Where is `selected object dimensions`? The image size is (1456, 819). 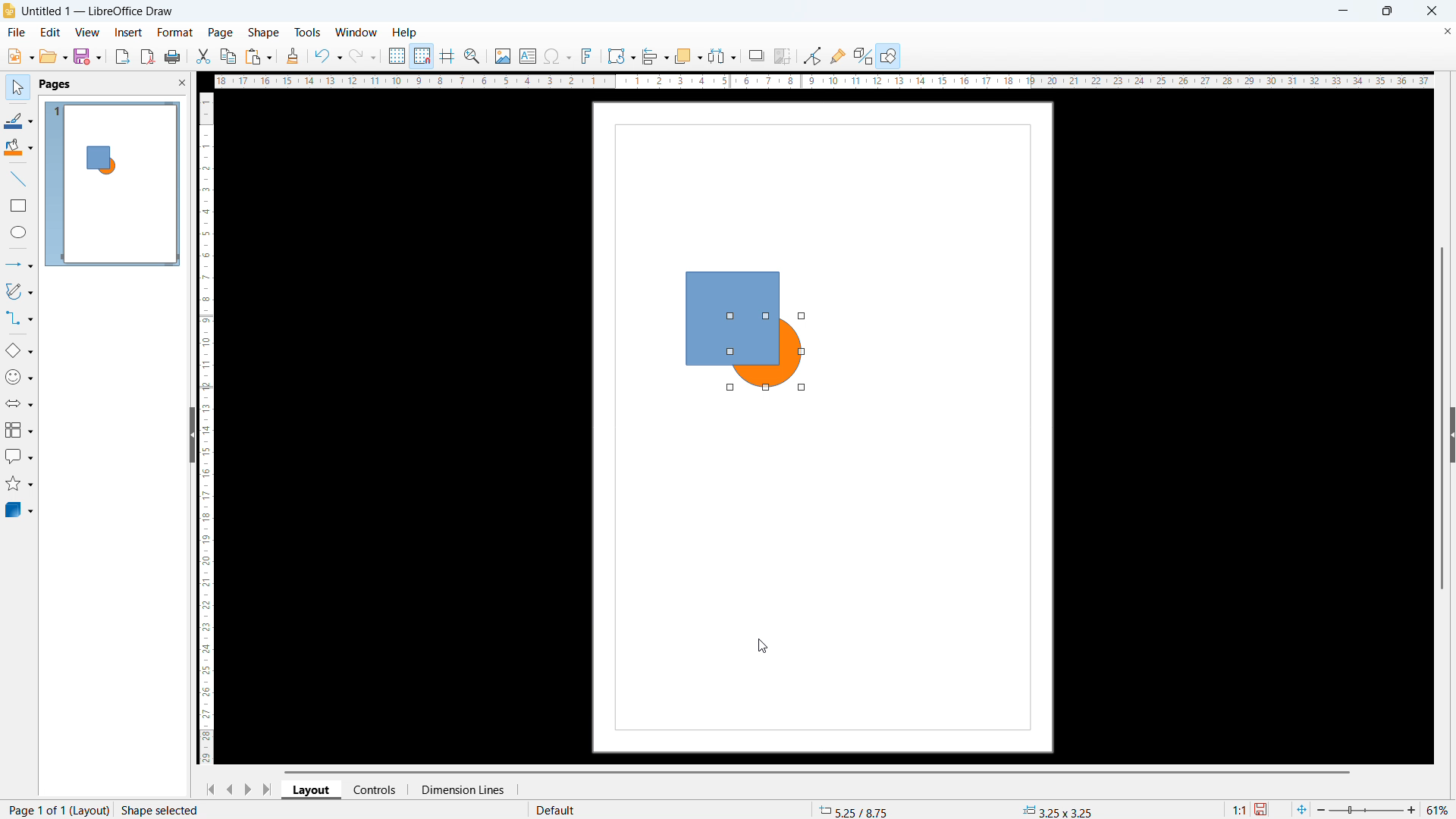 selected object dimensions is located at coordinates (1057, 809).